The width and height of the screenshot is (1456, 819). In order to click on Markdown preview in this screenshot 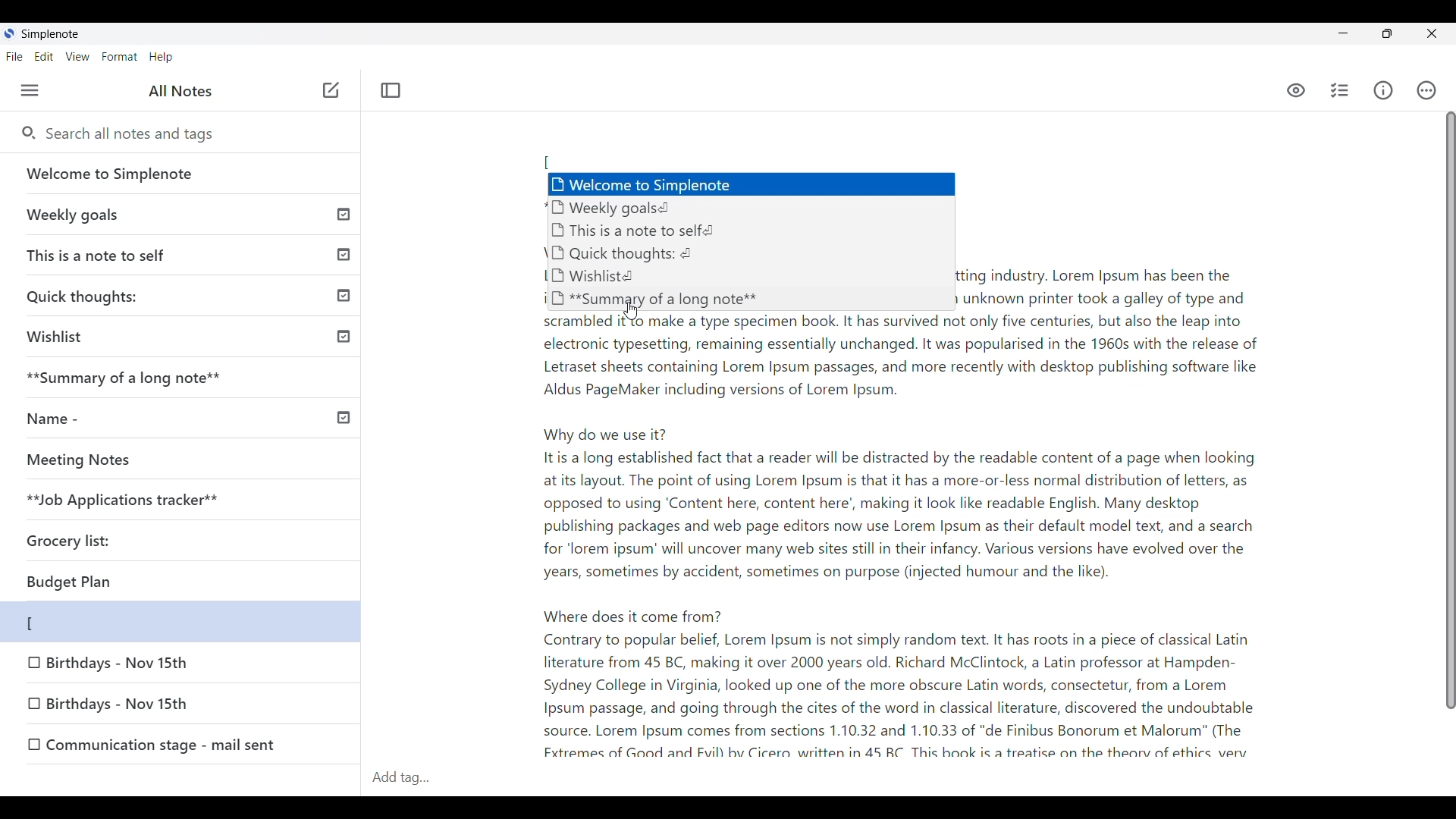, I will do `click(1294, 91)`.